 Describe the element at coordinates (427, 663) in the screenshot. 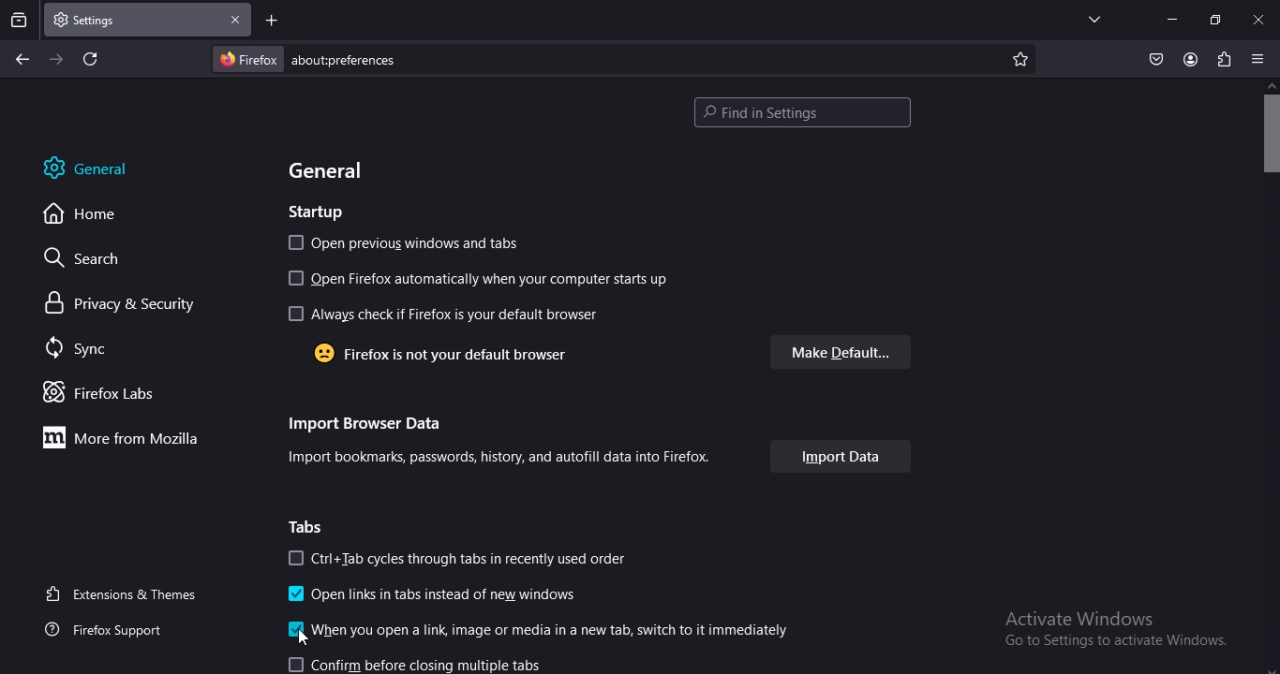

I see `confirm before closing multiple tabs` at that location.